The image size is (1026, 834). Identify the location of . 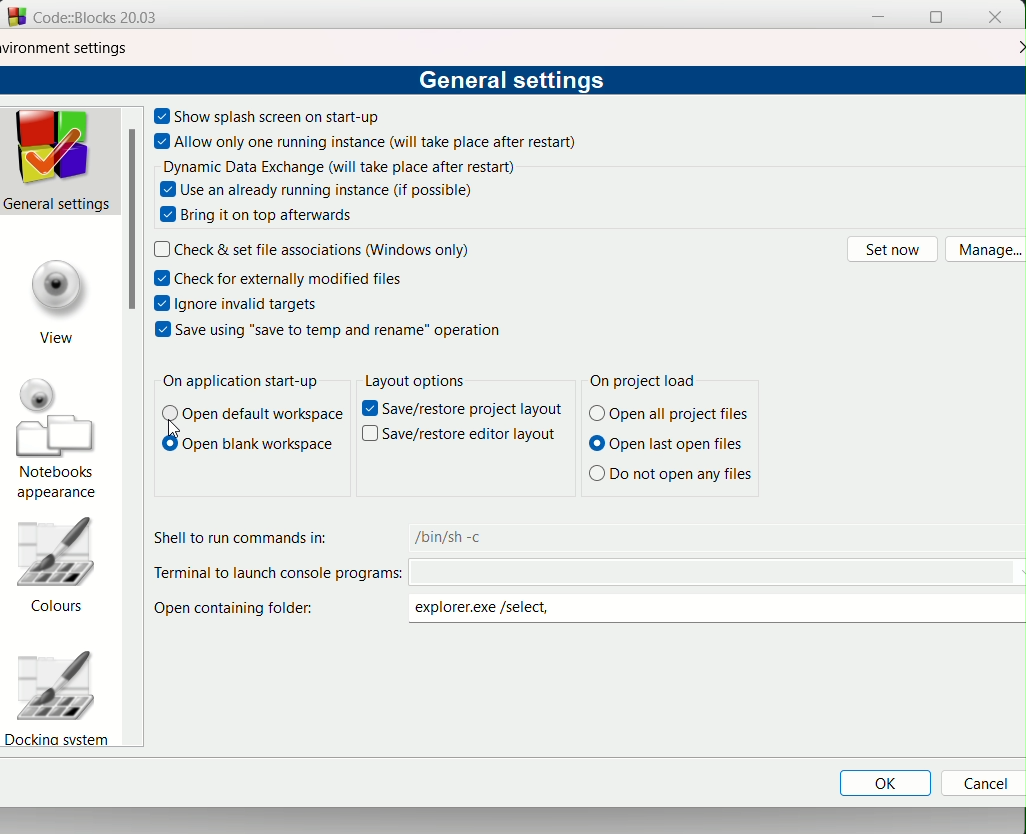
(472, 438).